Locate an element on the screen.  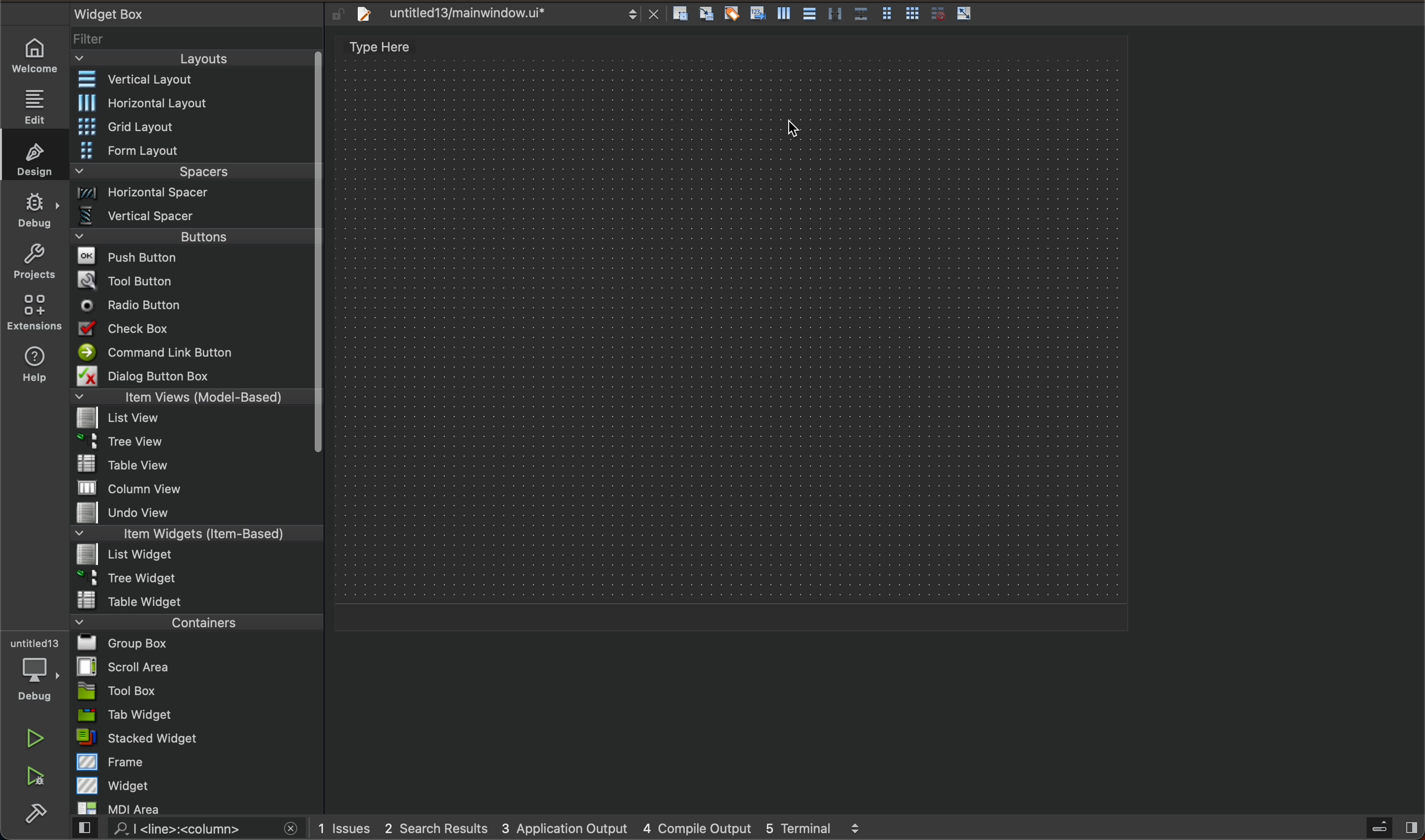
help is located at coordinates (33, 368).